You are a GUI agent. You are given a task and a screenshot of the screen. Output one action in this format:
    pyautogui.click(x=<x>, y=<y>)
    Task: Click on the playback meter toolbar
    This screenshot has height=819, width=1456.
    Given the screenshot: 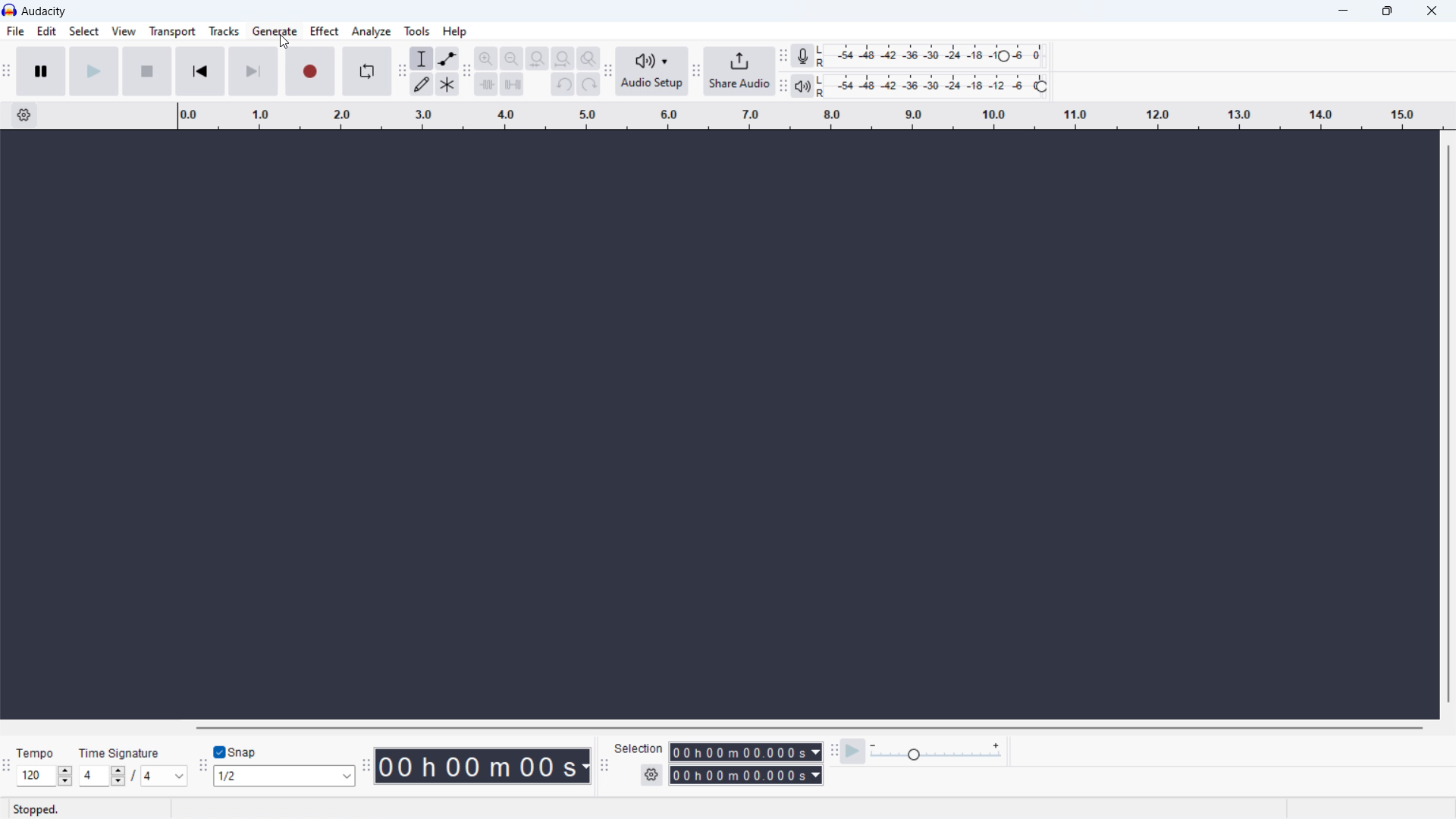 What is the action you would take?
    pyautogui.click(x=783, y=87)
    